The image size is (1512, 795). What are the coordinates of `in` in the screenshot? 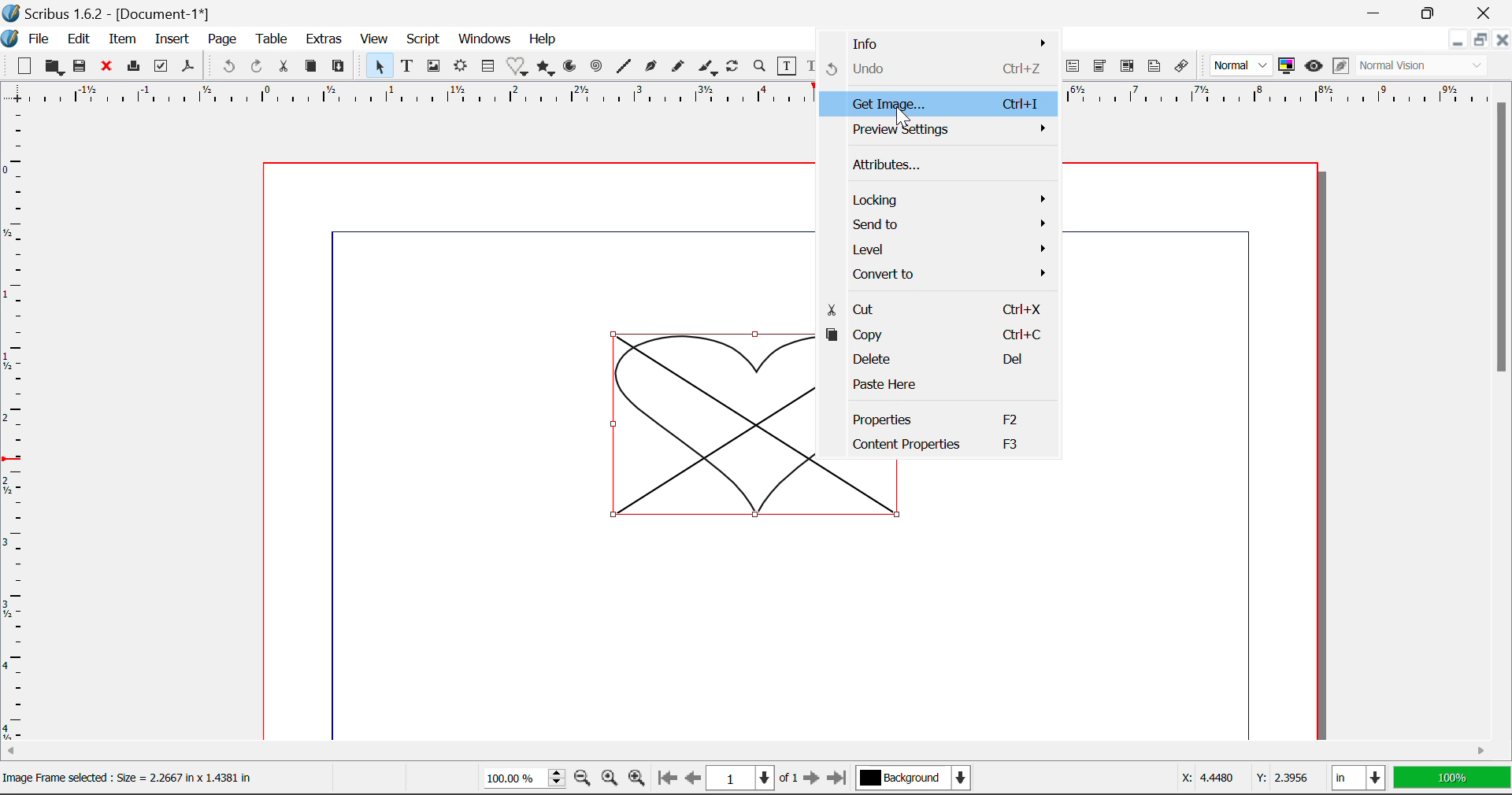 It's located at (1358, 778).